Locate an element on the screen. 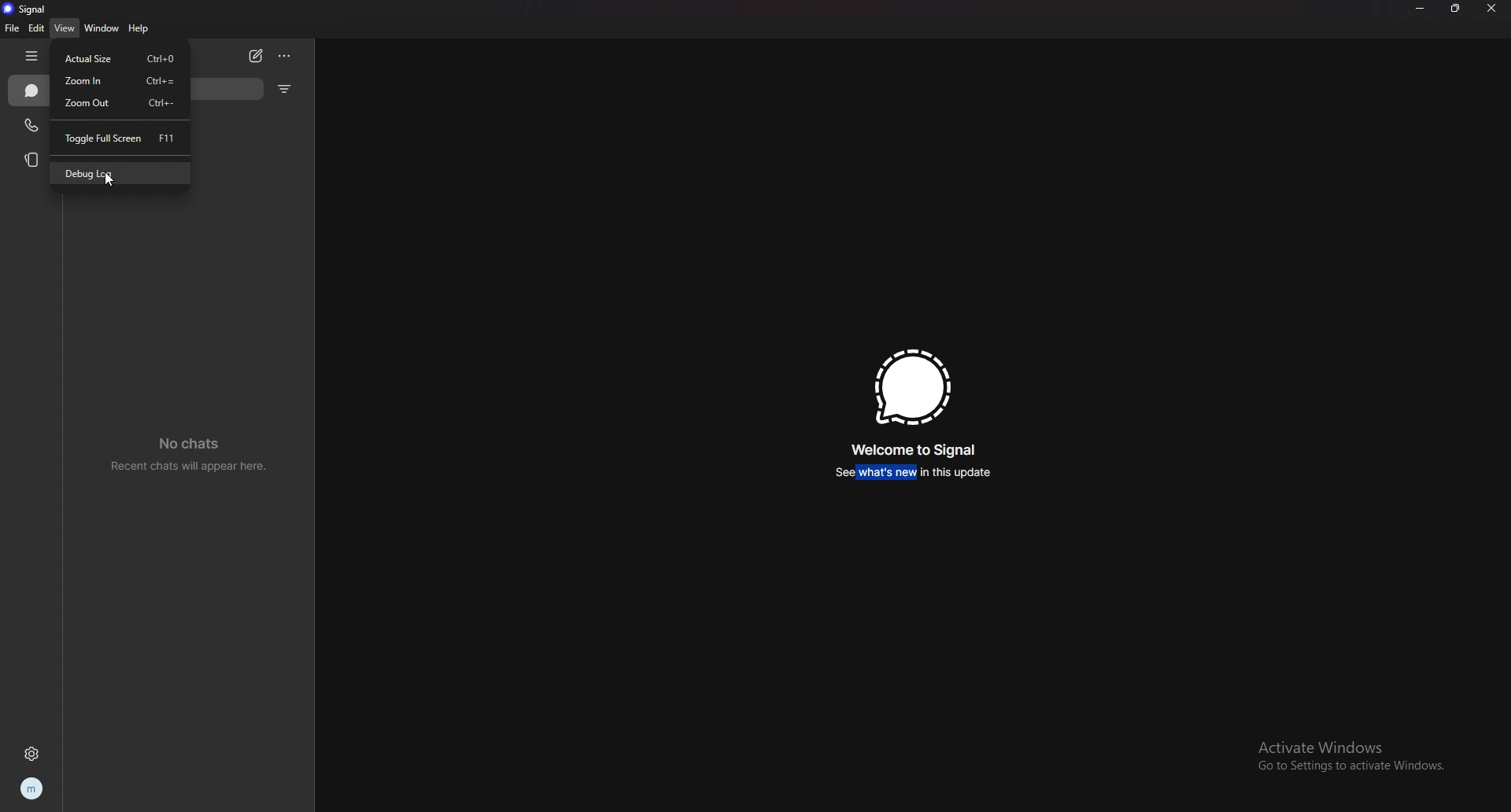 This screenshot has width=1511, height=812. toggle full screen is located at coordinates (135, 138).